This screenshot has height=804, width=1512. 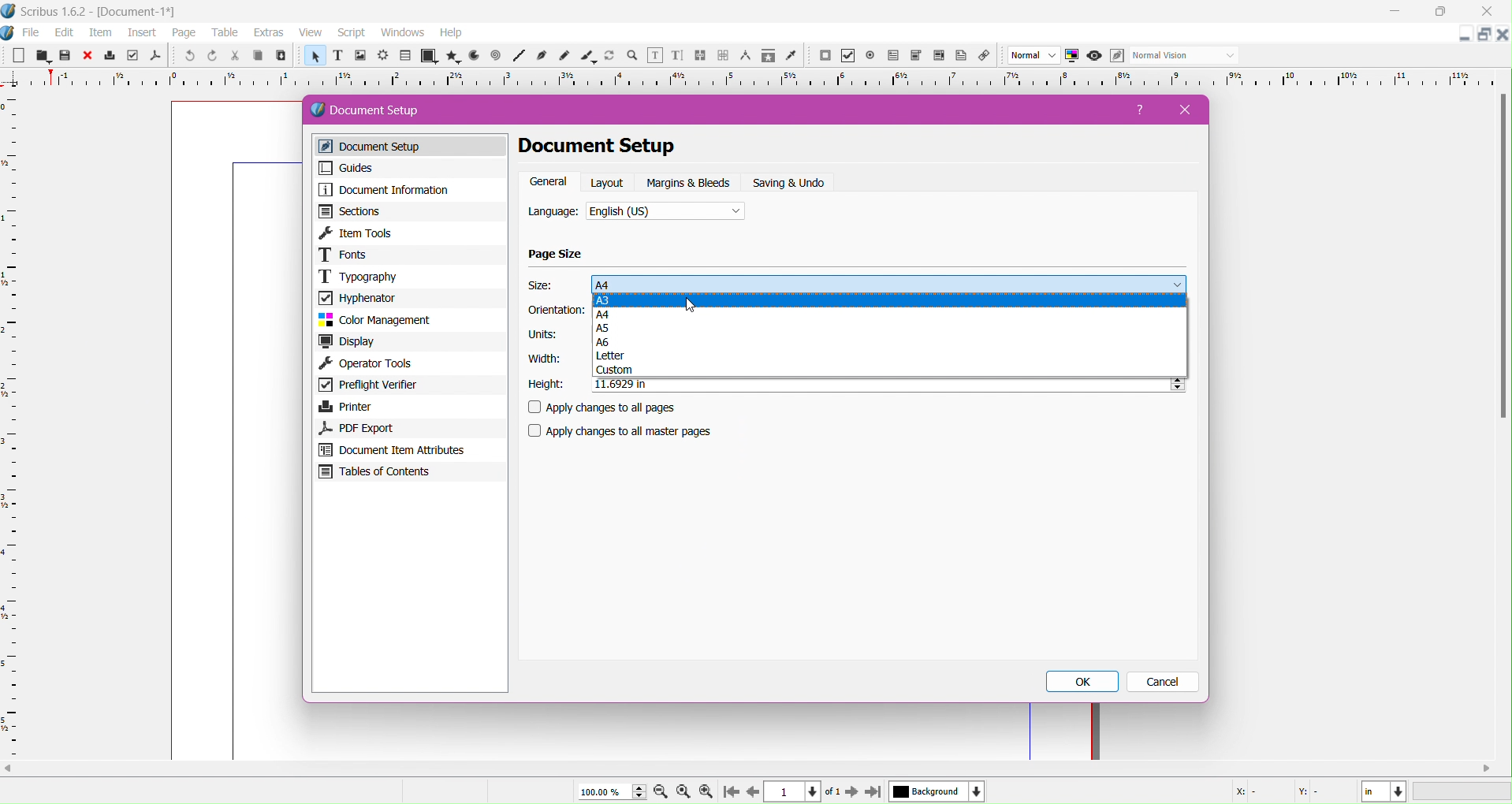 What do you see at coordinates (804, 792) in the screenshot?
I see `page number` at bounding box center [804, 792].